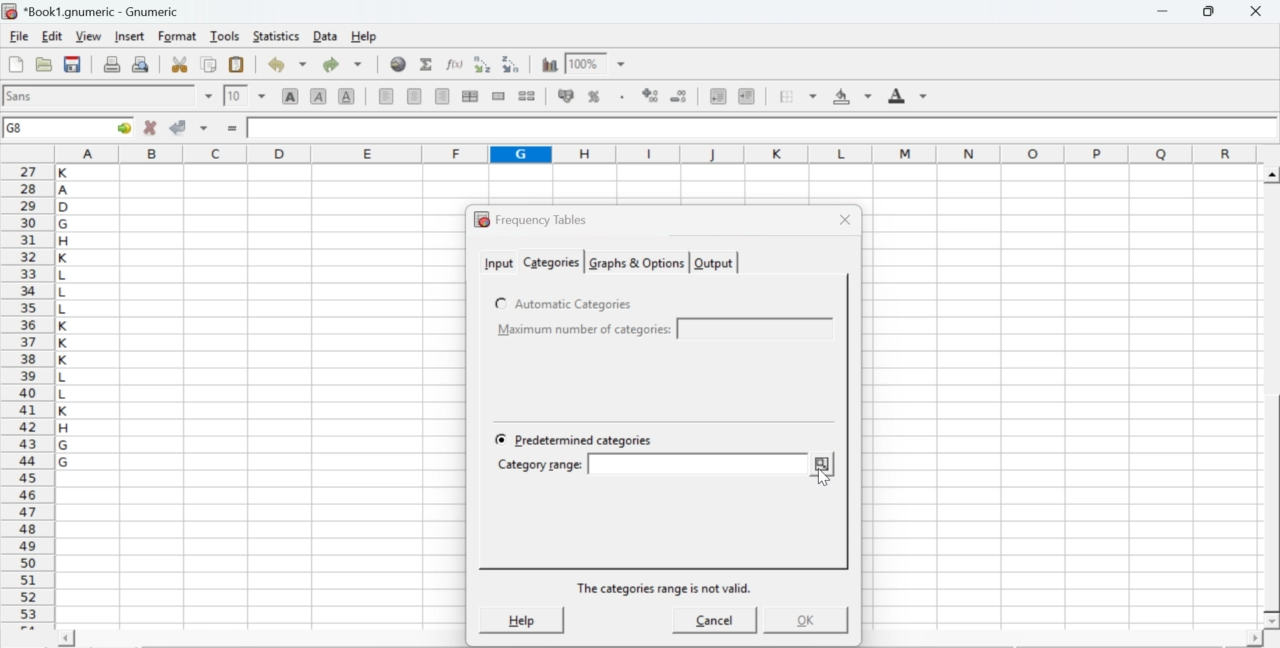 Image resolution: width=1280 pixels, height=648 pixels. Describe the element at coordinates (1254, 11) in the screenshot. I see `close` at that location.